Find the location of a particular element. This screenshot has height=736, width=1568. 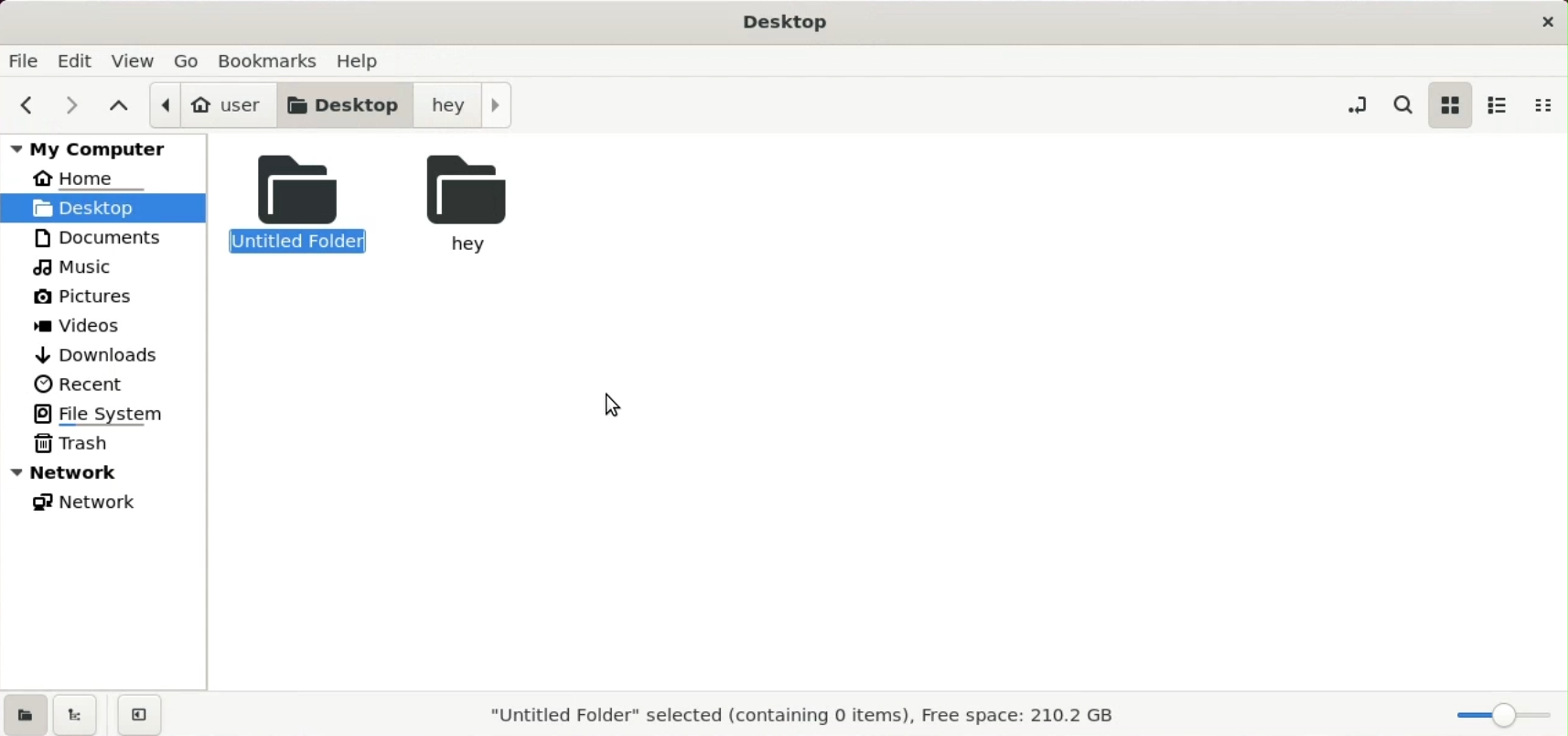

toggle loaction entry is located at coordinates (1355, 105).